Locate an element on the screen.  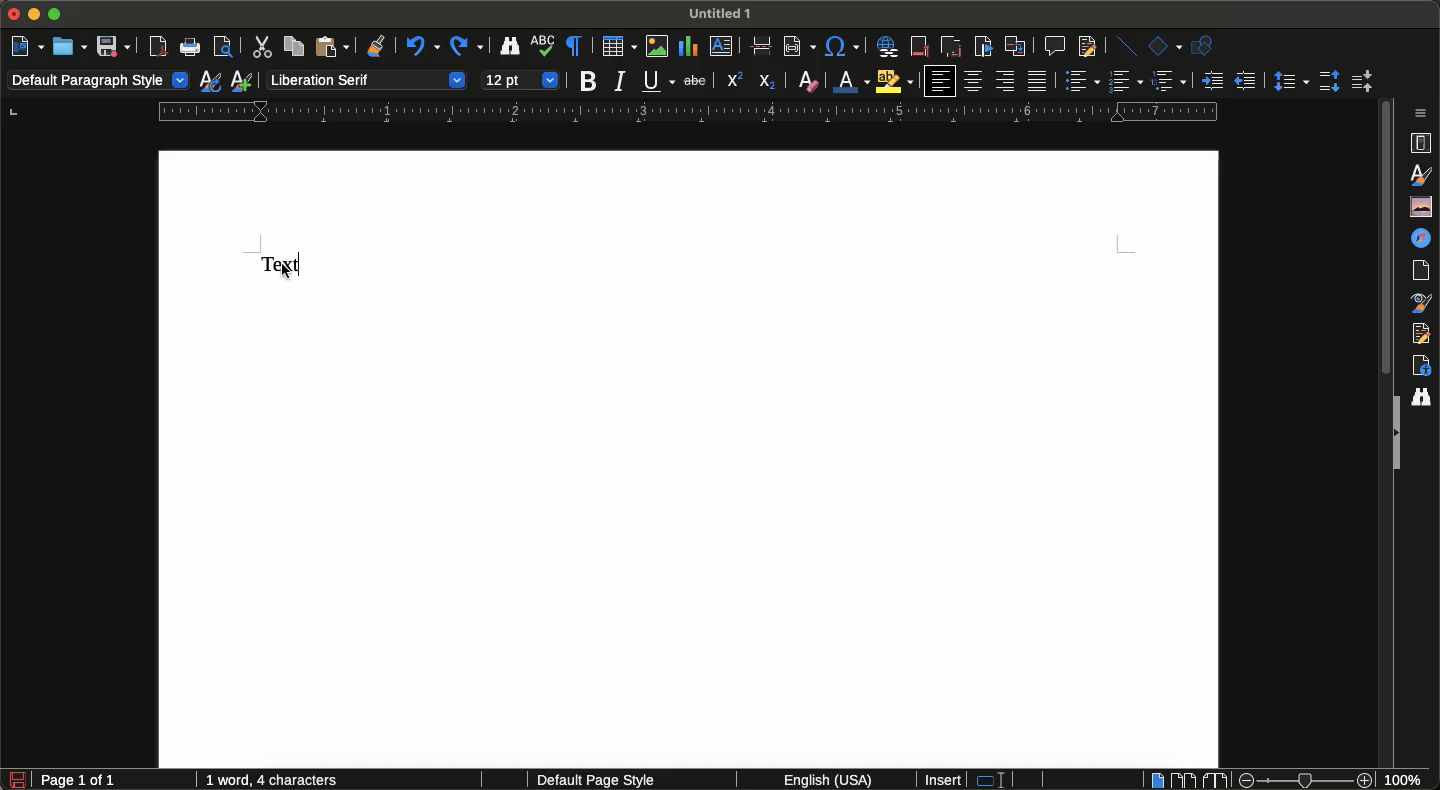
Navigator is located at coordinates (1425, 238).